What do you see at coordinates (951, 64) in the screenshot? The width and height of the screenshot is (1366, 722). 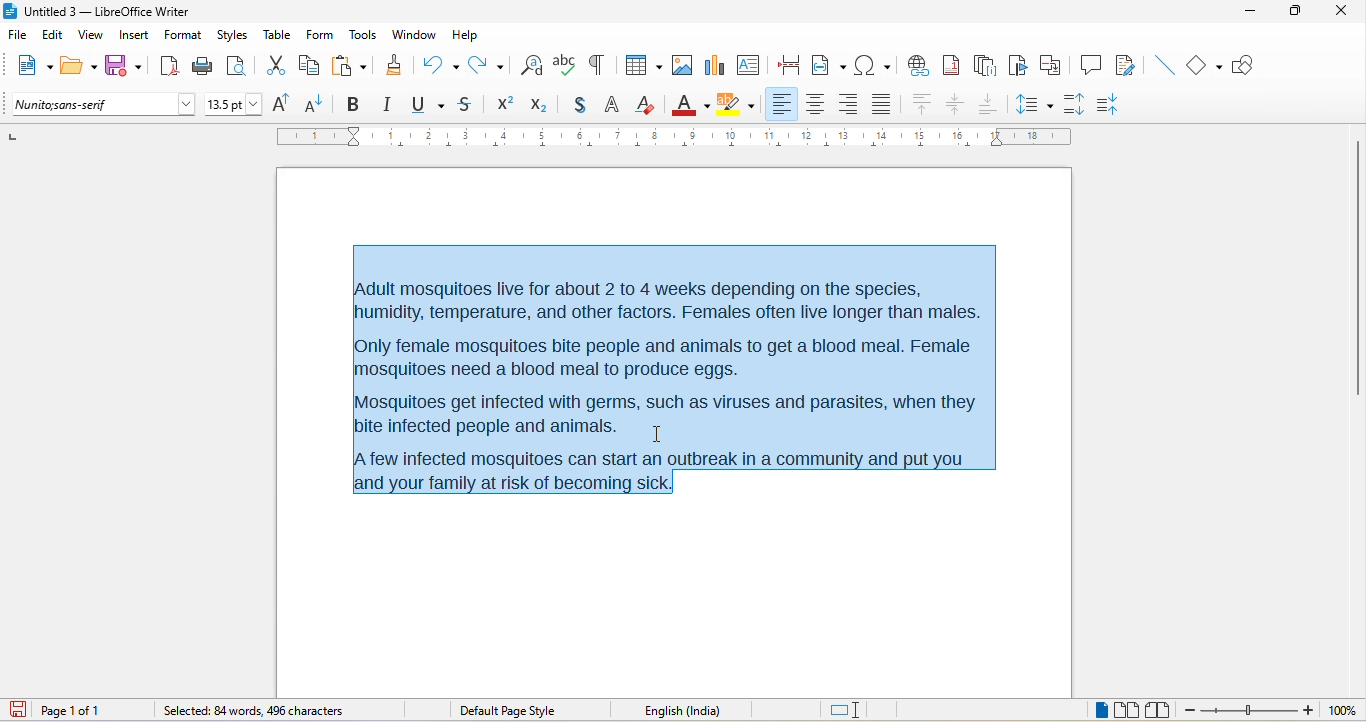 I see `footnote` at bounding box center [951, 64].